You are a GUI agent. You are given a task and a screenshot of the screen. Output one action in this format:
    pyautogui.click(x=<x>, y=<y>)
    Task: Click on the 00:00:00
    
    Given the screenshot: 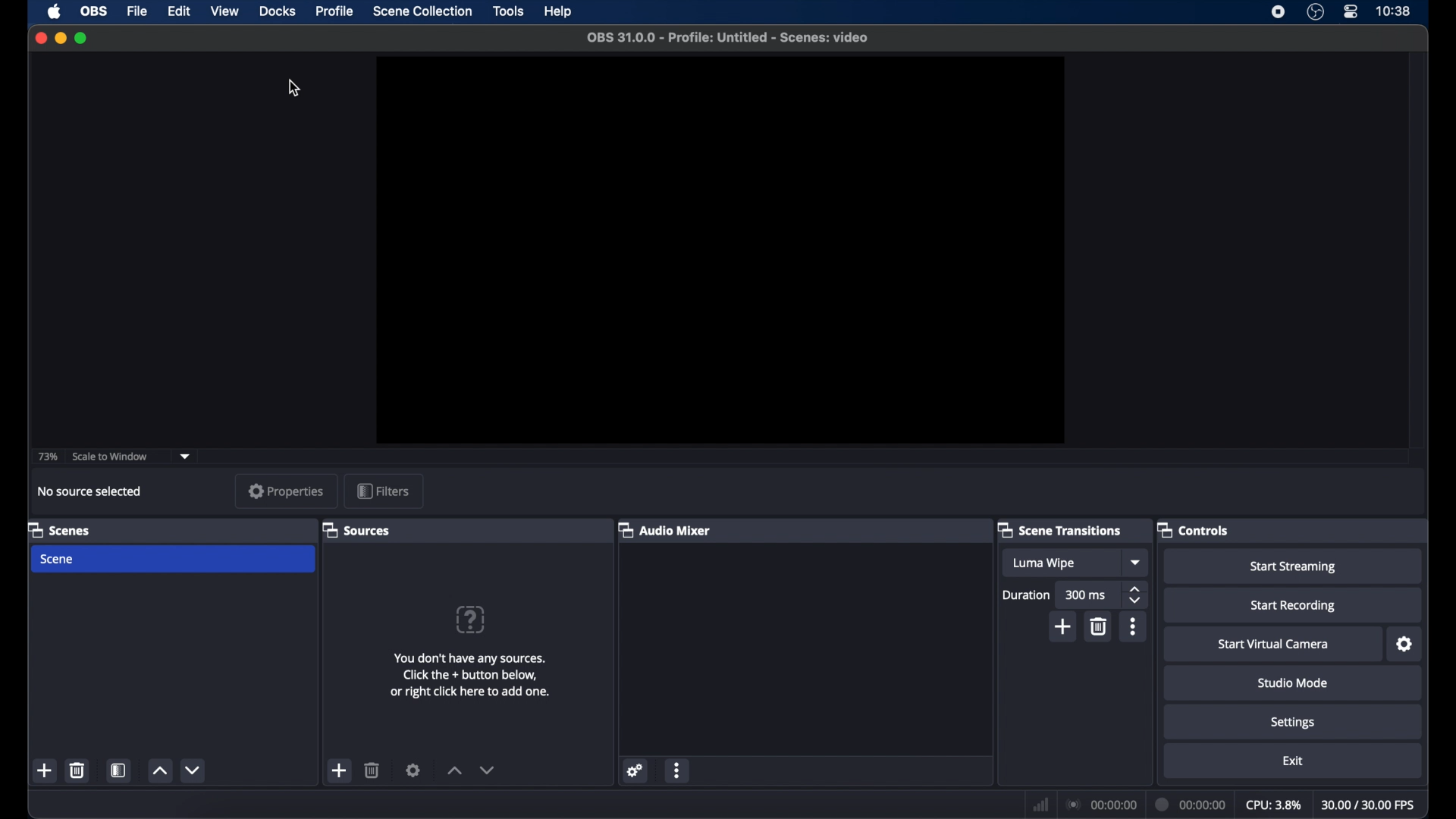 What is the action you would take?
    pyautogui.click(x=1191, y=804)
    